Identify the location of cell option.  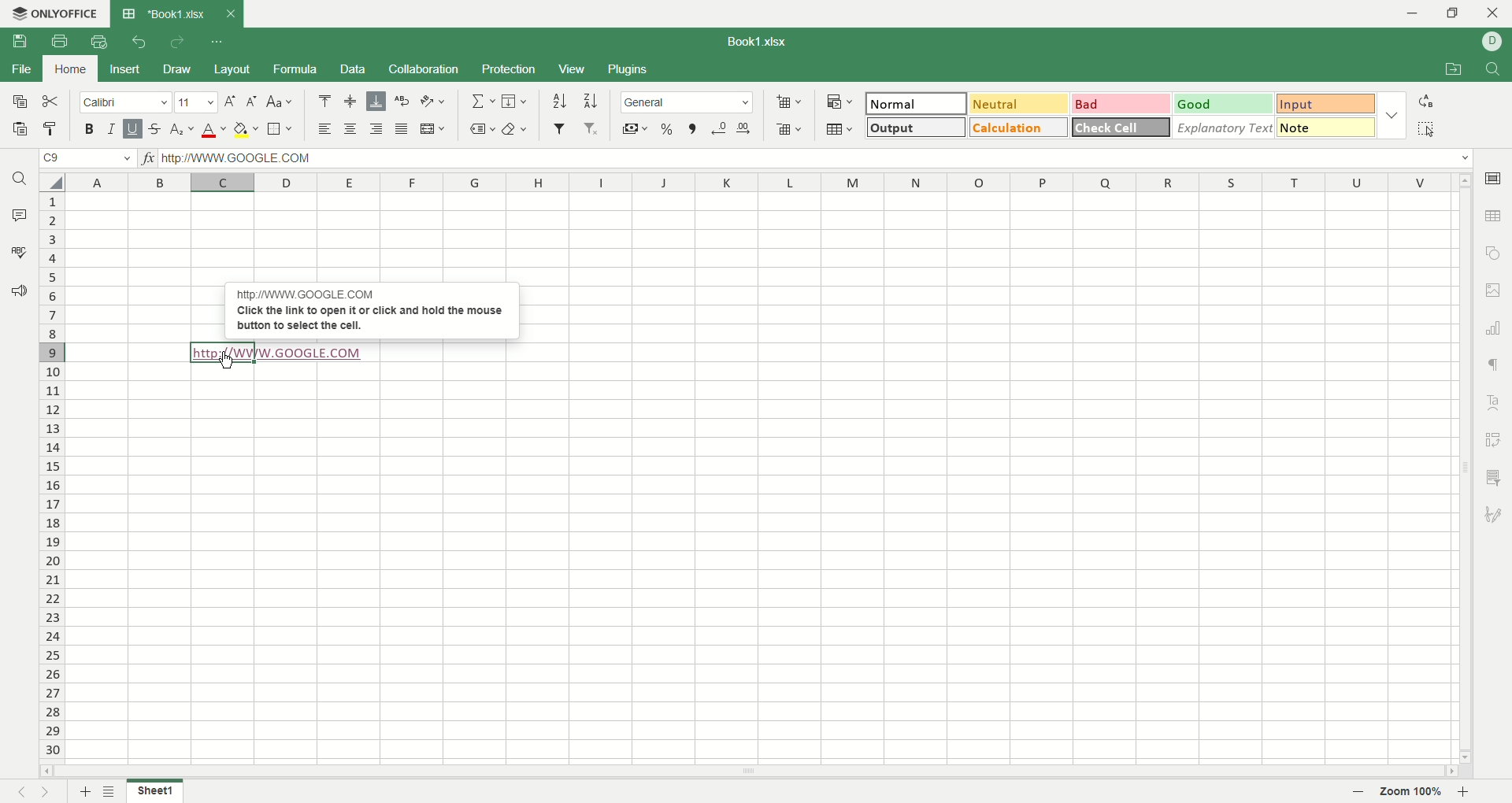
(1496, 178).